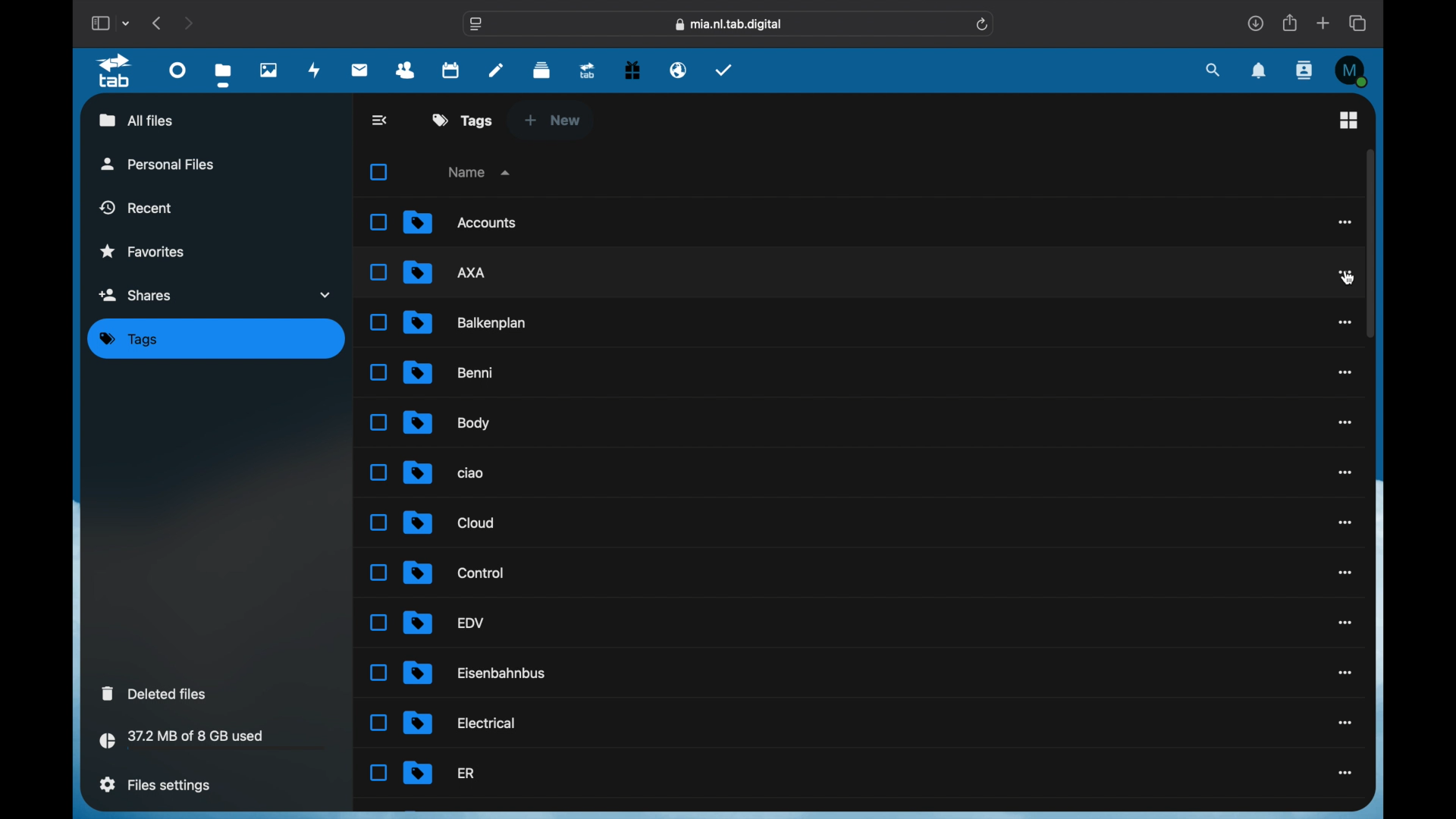  Describe the element at coordinates (1345, 523) in the screenshot. I see `more options` at that location.